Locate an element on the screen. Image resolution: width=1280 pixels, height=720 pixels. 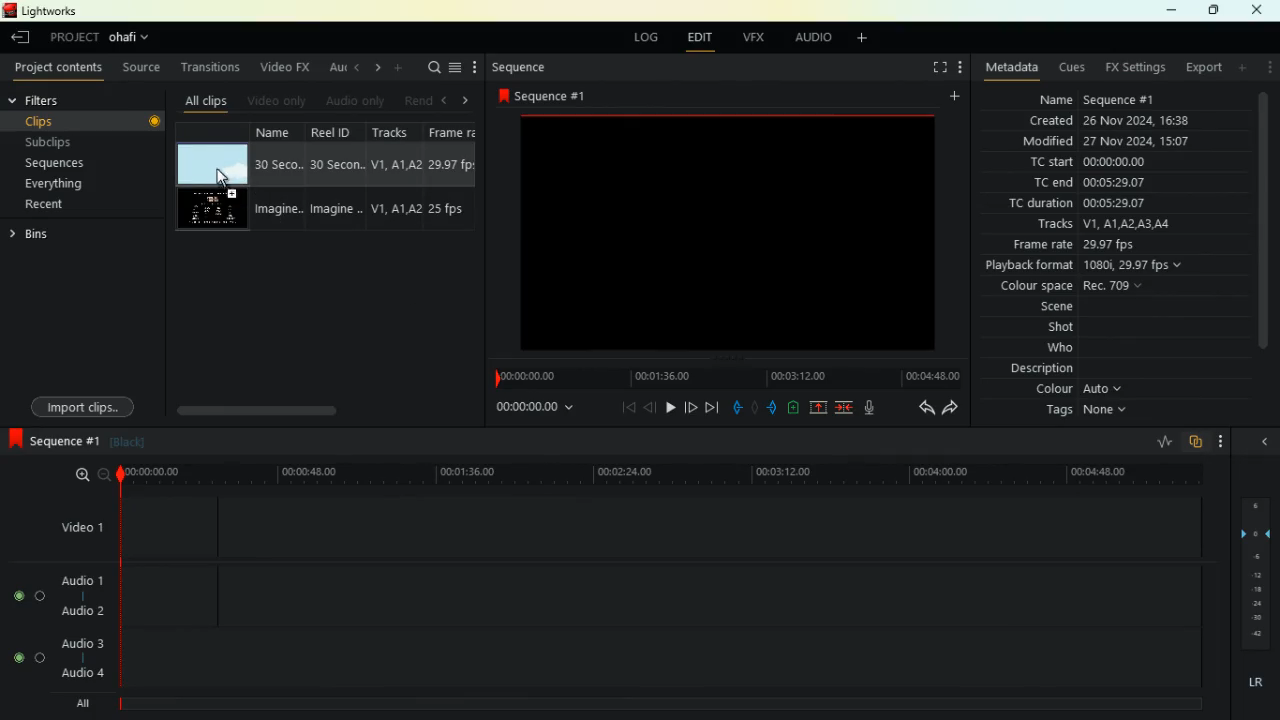
scene is located at coordinates (1044, 307).